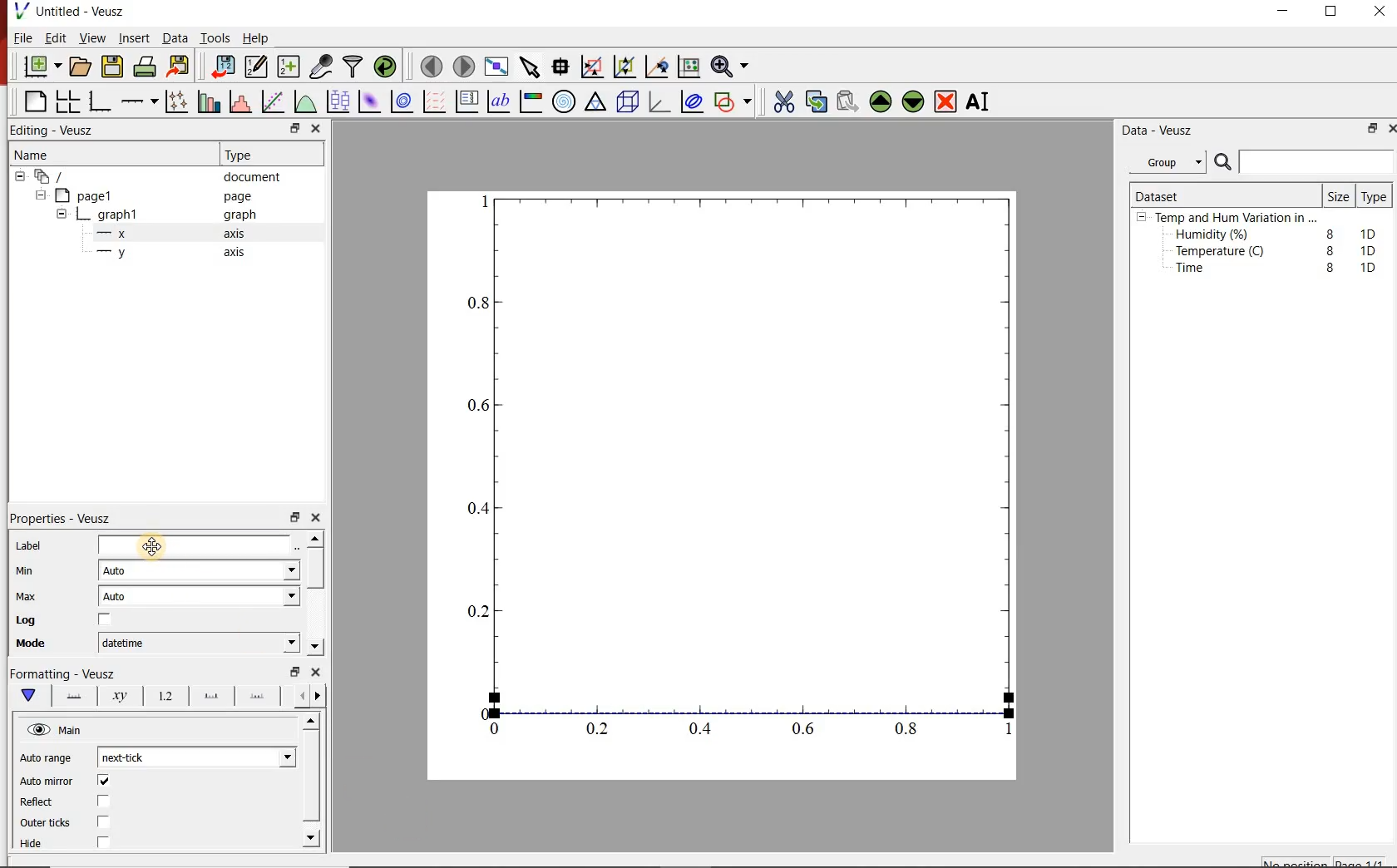 The image size is (1397, 868). Describe the element at coordinates (320, 65) in the screenshot. I see `capture remote data` at that location.